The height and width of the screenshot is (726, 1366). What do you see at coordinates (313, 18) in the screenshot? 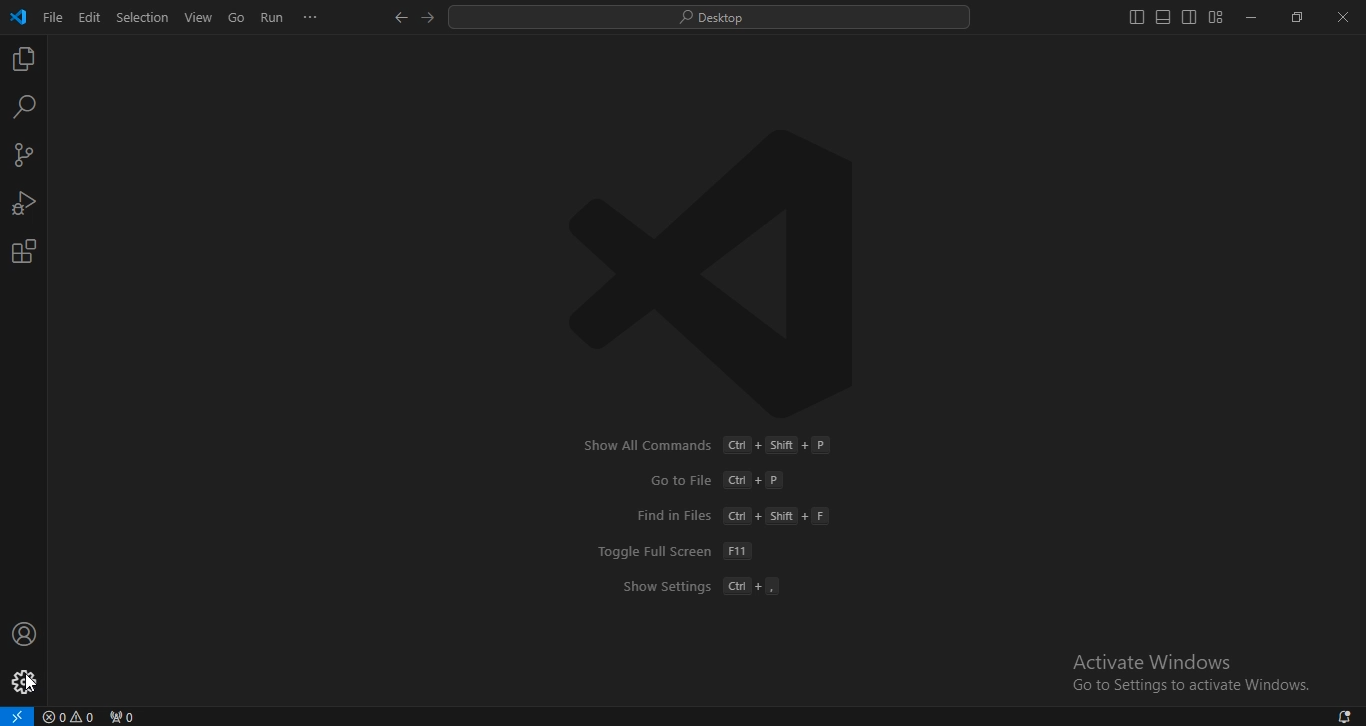
I see `...` at bounding box center [313, 18].